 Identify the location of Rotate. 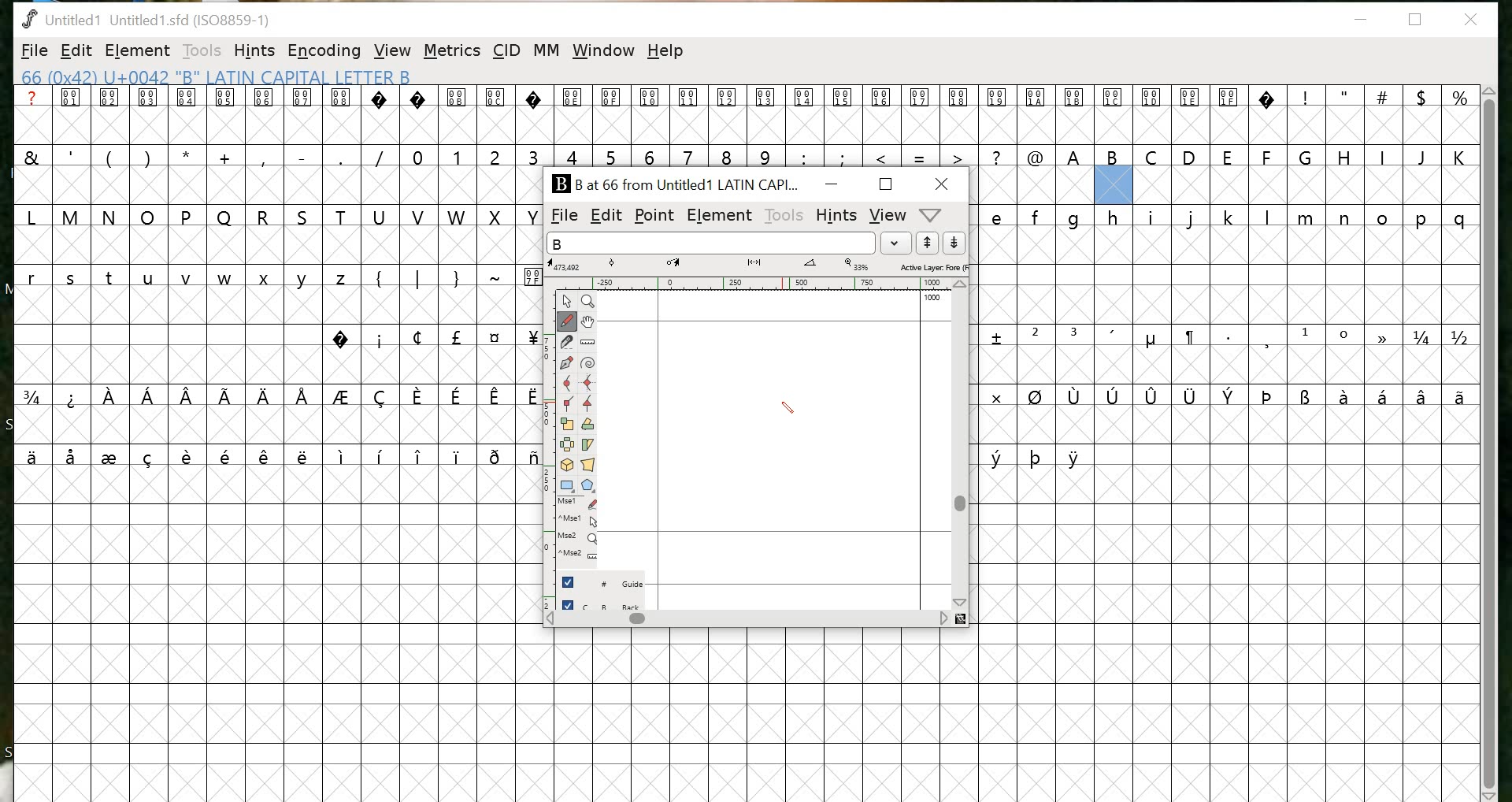
(588, 425).